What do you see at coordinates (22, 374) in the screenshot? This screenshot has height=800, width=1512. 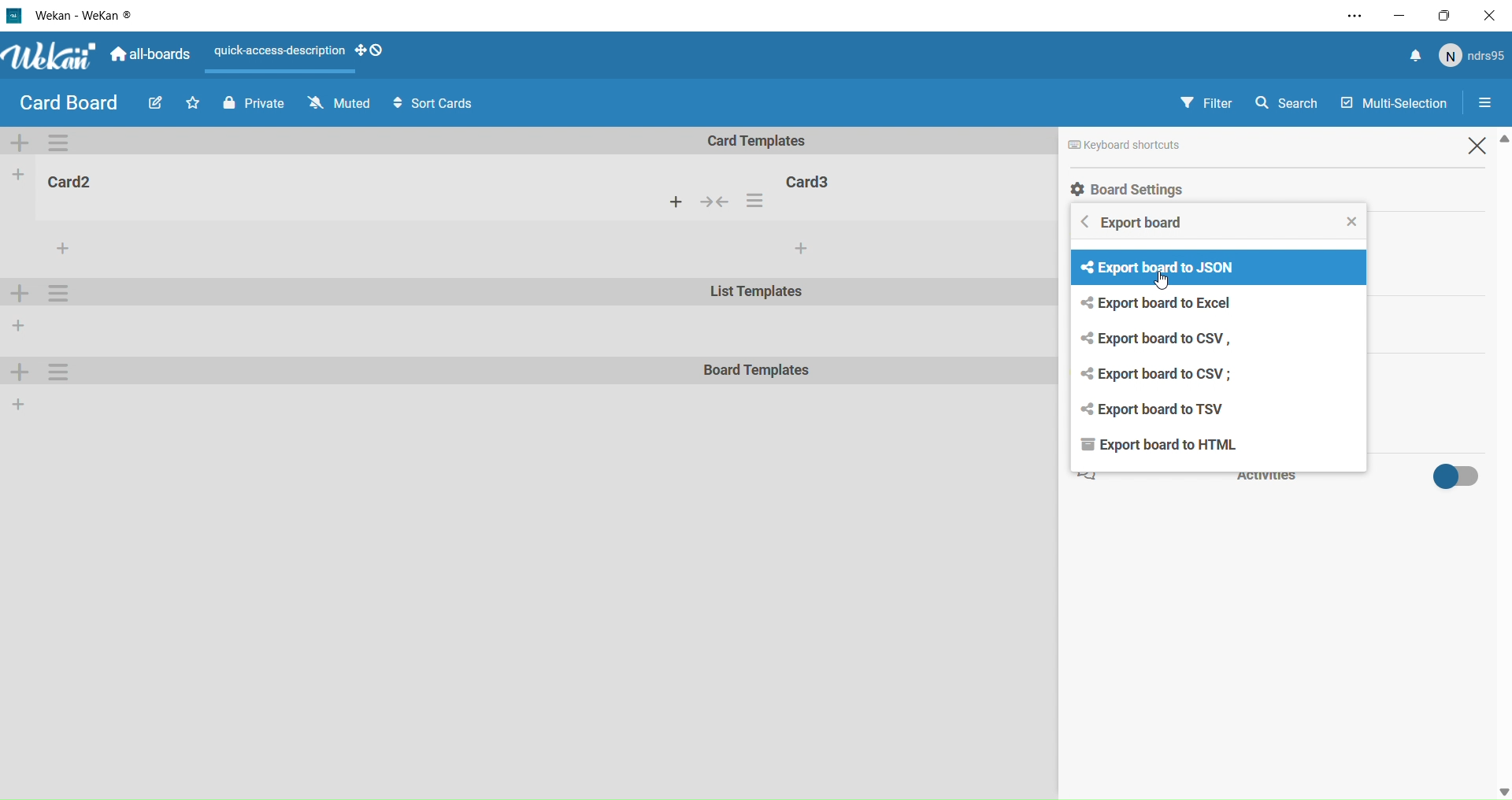 I see `Add` at bounding box center [22, 374].